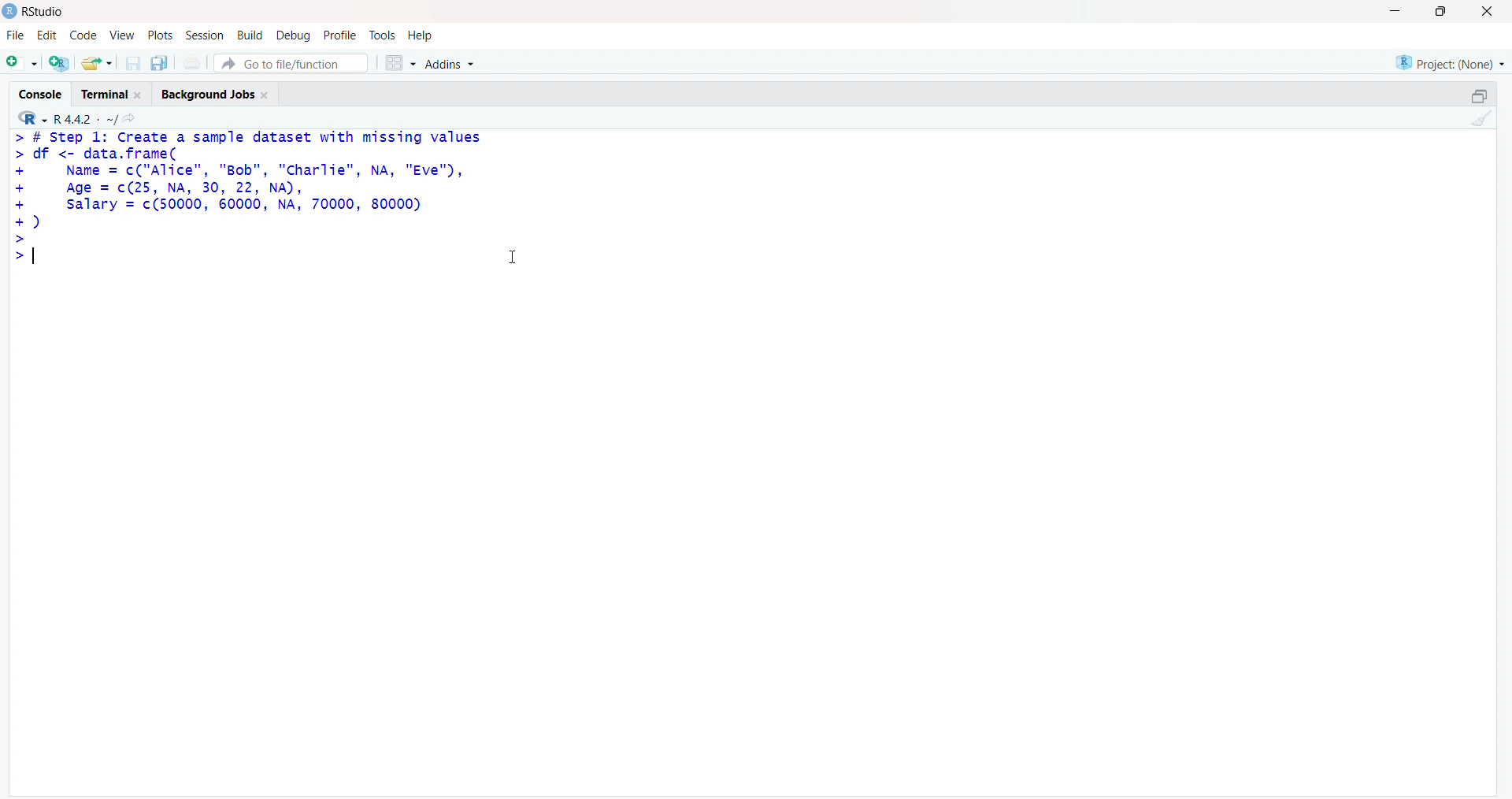  I want to click on Edit, so click(46, 36).